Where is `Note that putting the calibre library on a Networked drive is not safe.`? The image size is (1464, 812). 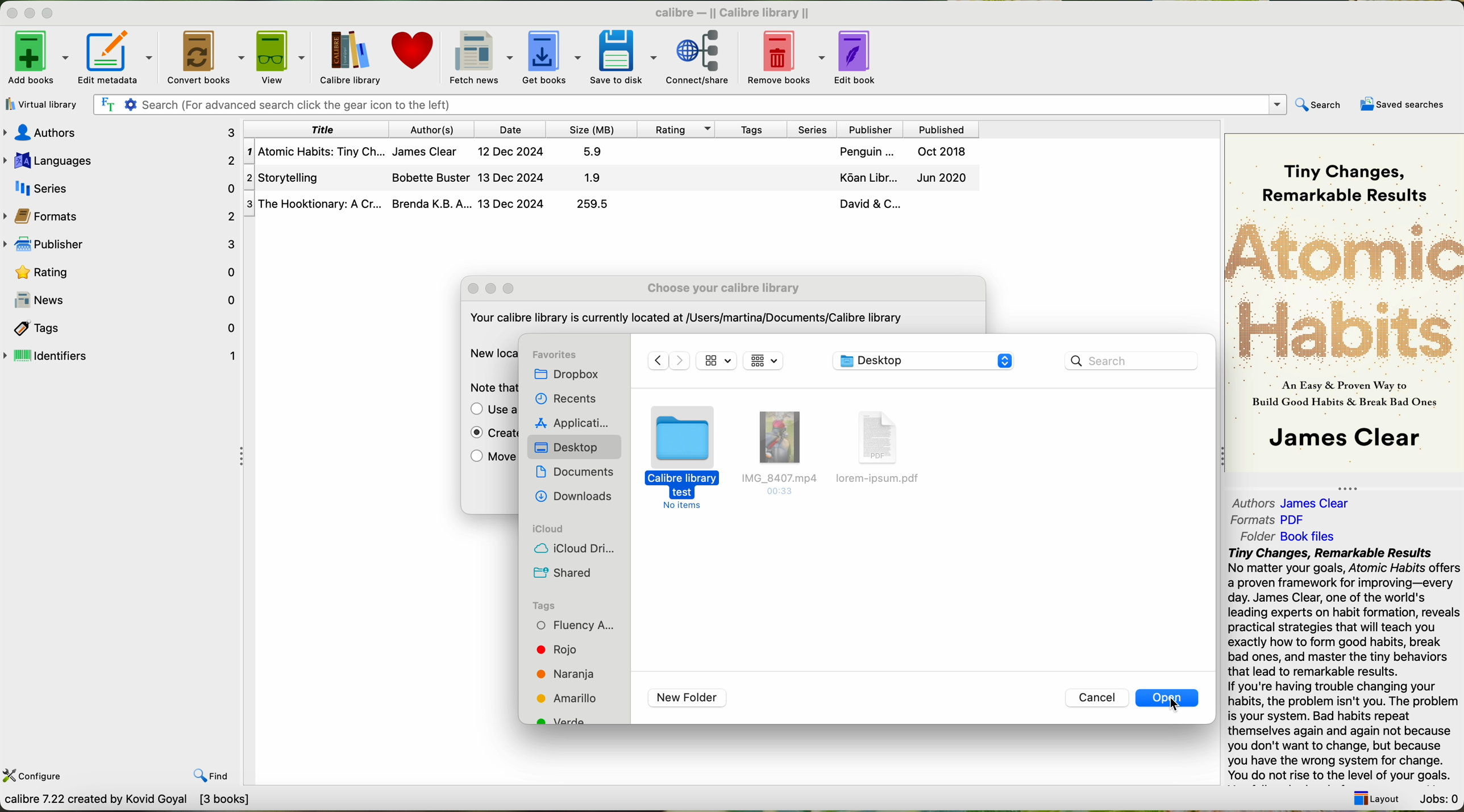 Note that putting the calibre library on a Networked drive is not safe. is located at coordinates (489, 388).